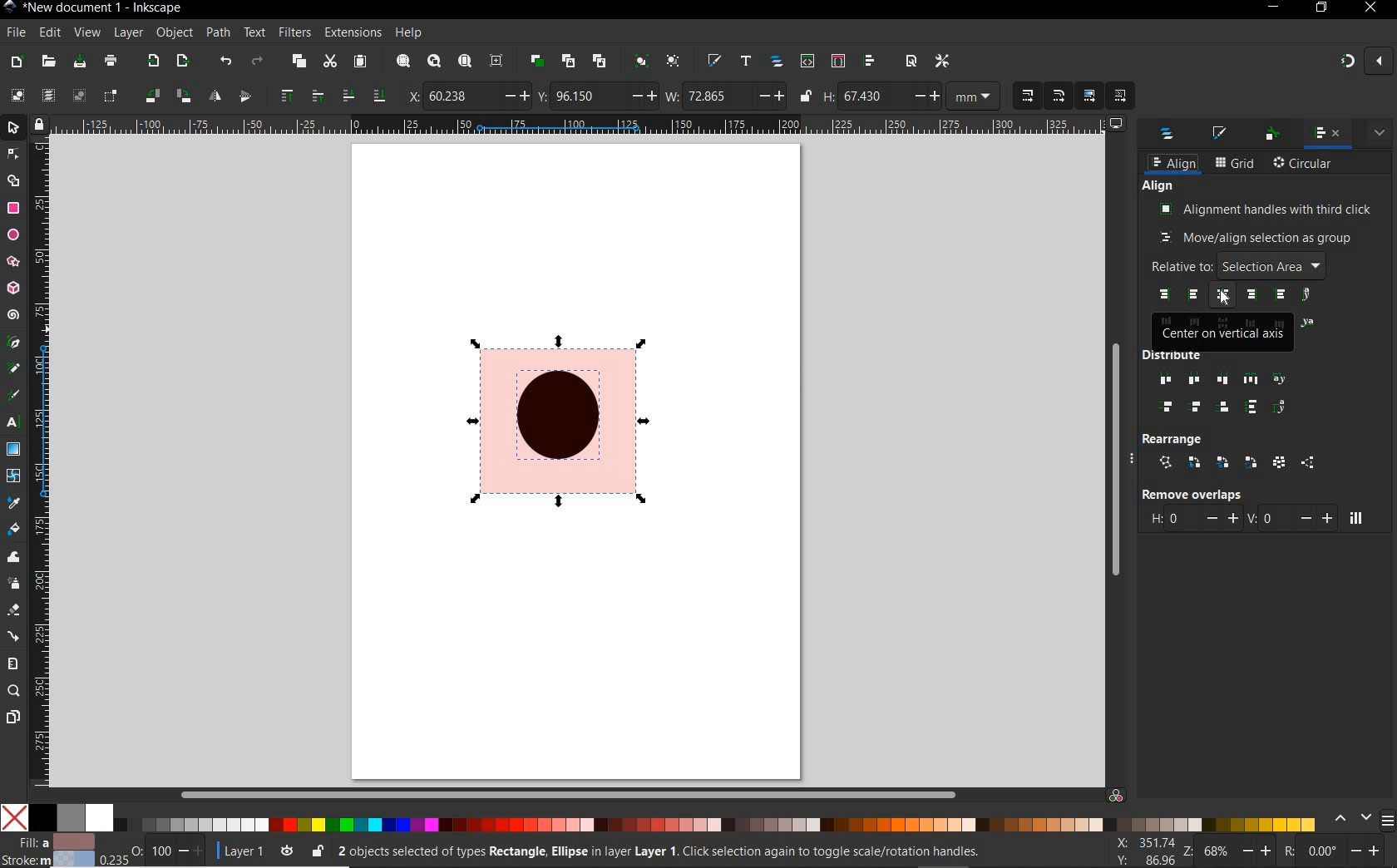  Describe the element at coordinates (587, 124) in the screenshot. I see `ruler` at that location.